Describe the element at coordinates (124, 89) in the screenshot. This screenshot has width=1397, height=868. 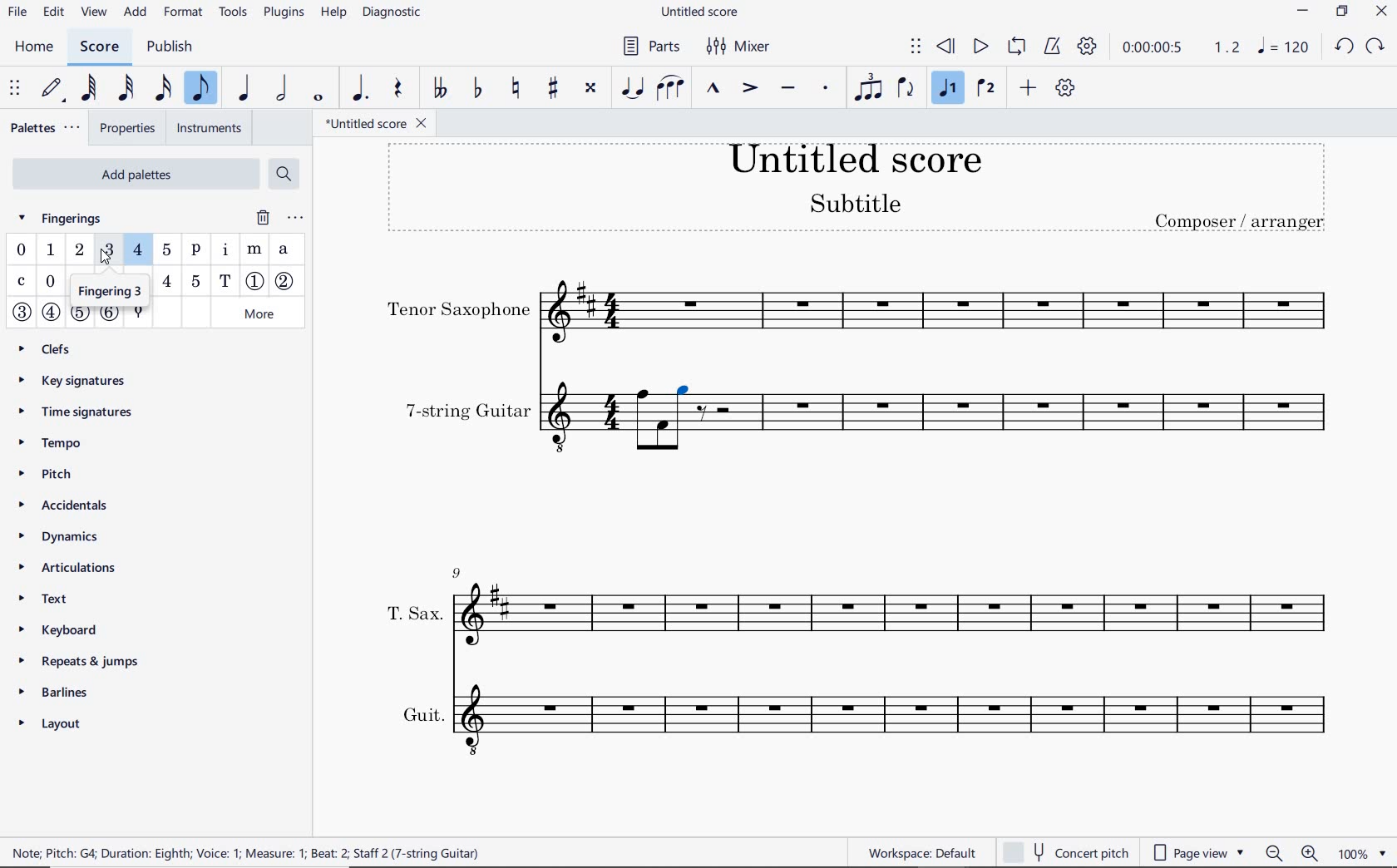
I see `32ND NOTE` at that location.